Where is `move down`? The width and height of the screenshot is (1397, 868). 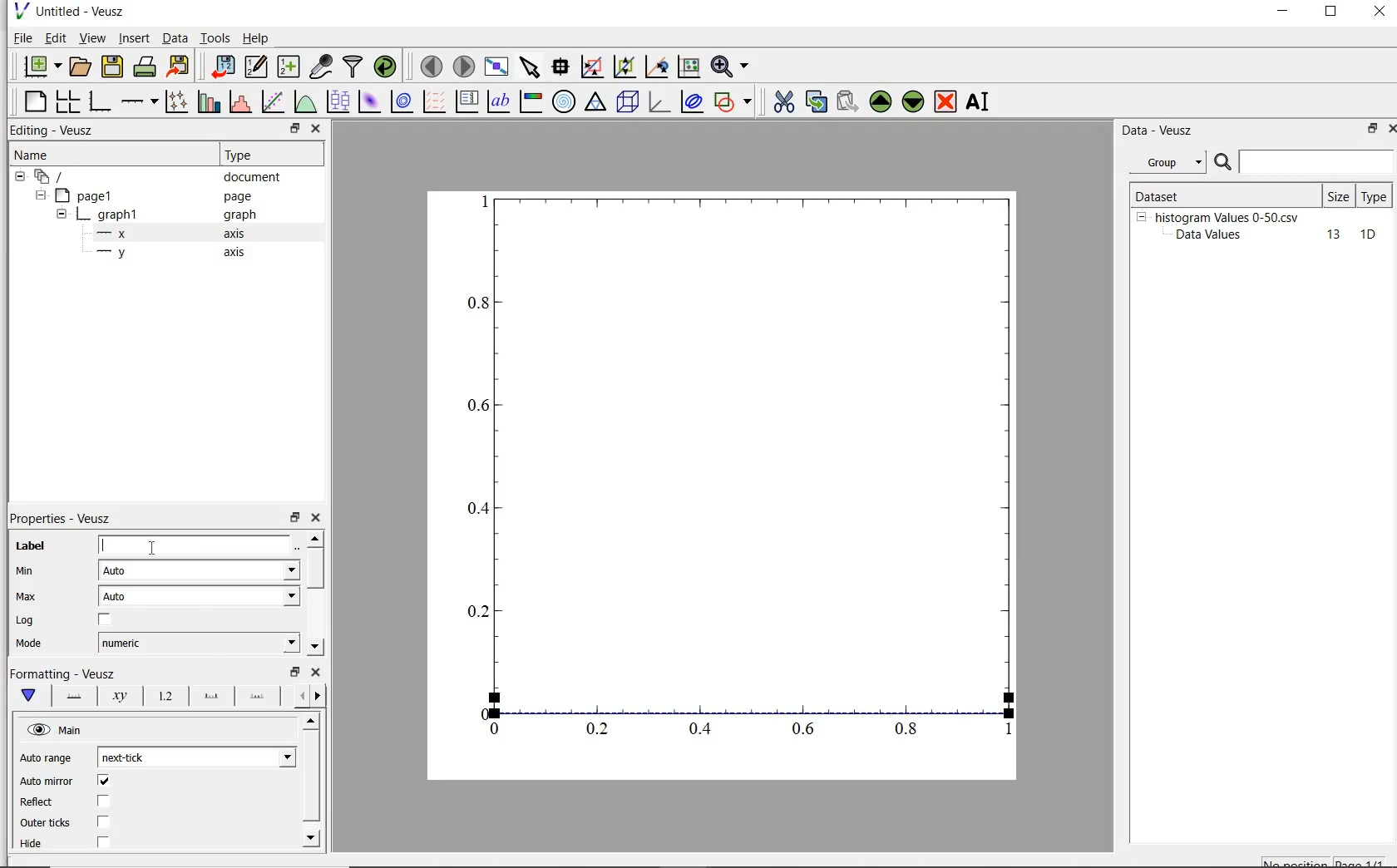 move down is located at coordinates (314, 647).